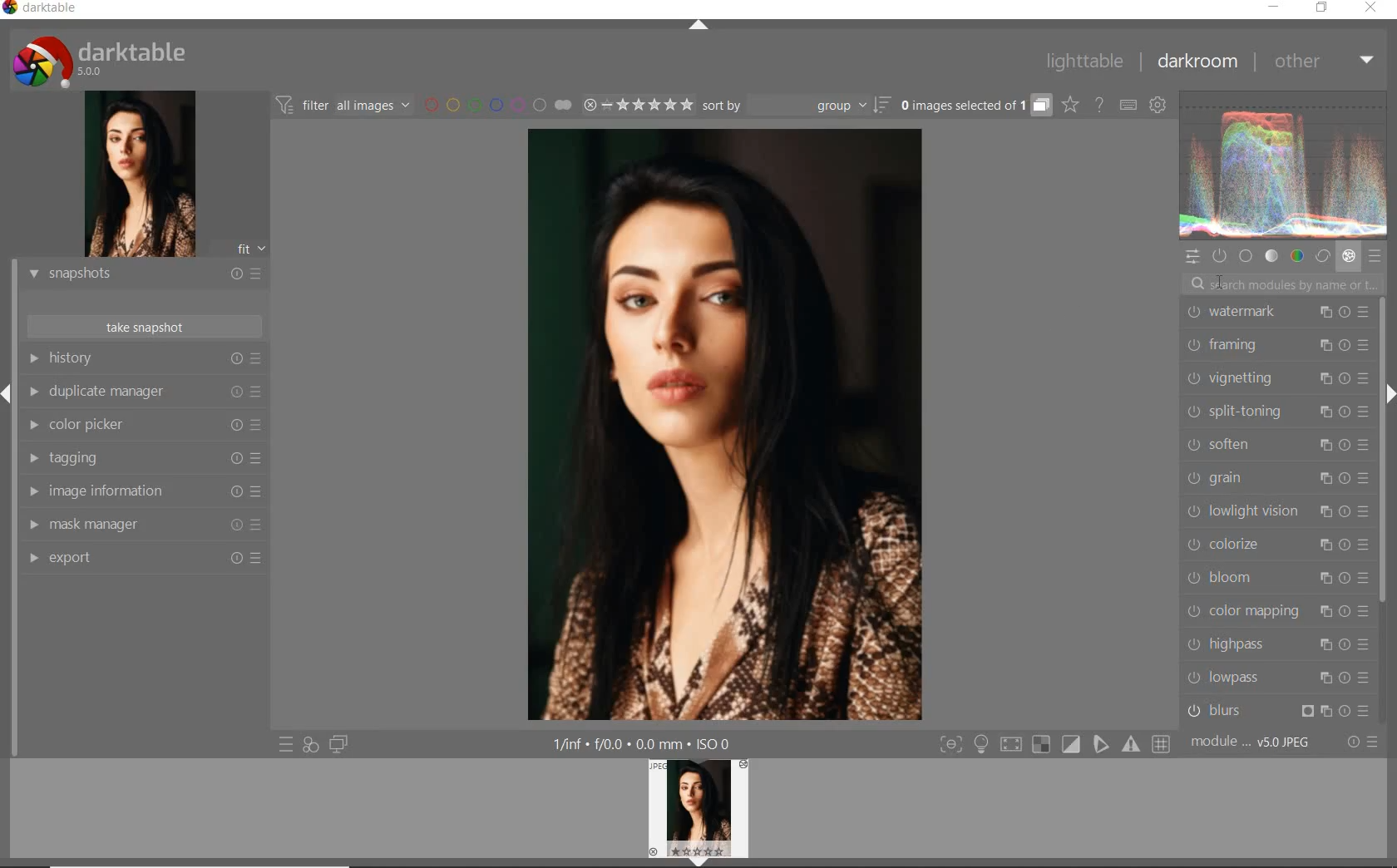  Describe the element at coordinates (623, 106) in the screenshot. I see `range ratings for selected images` at that location.